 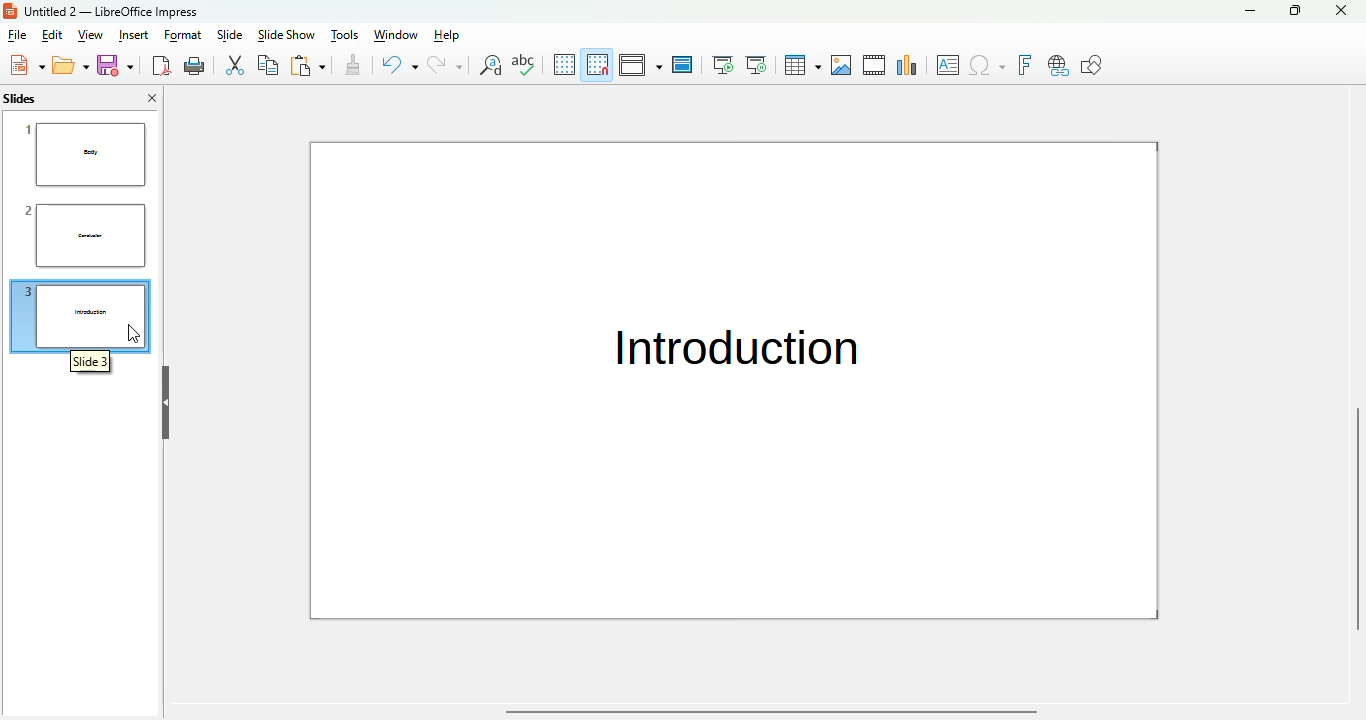 What do you see at coordinates (27, 64) in the screenshot?
I see `new` at bounding box center [27, 64].